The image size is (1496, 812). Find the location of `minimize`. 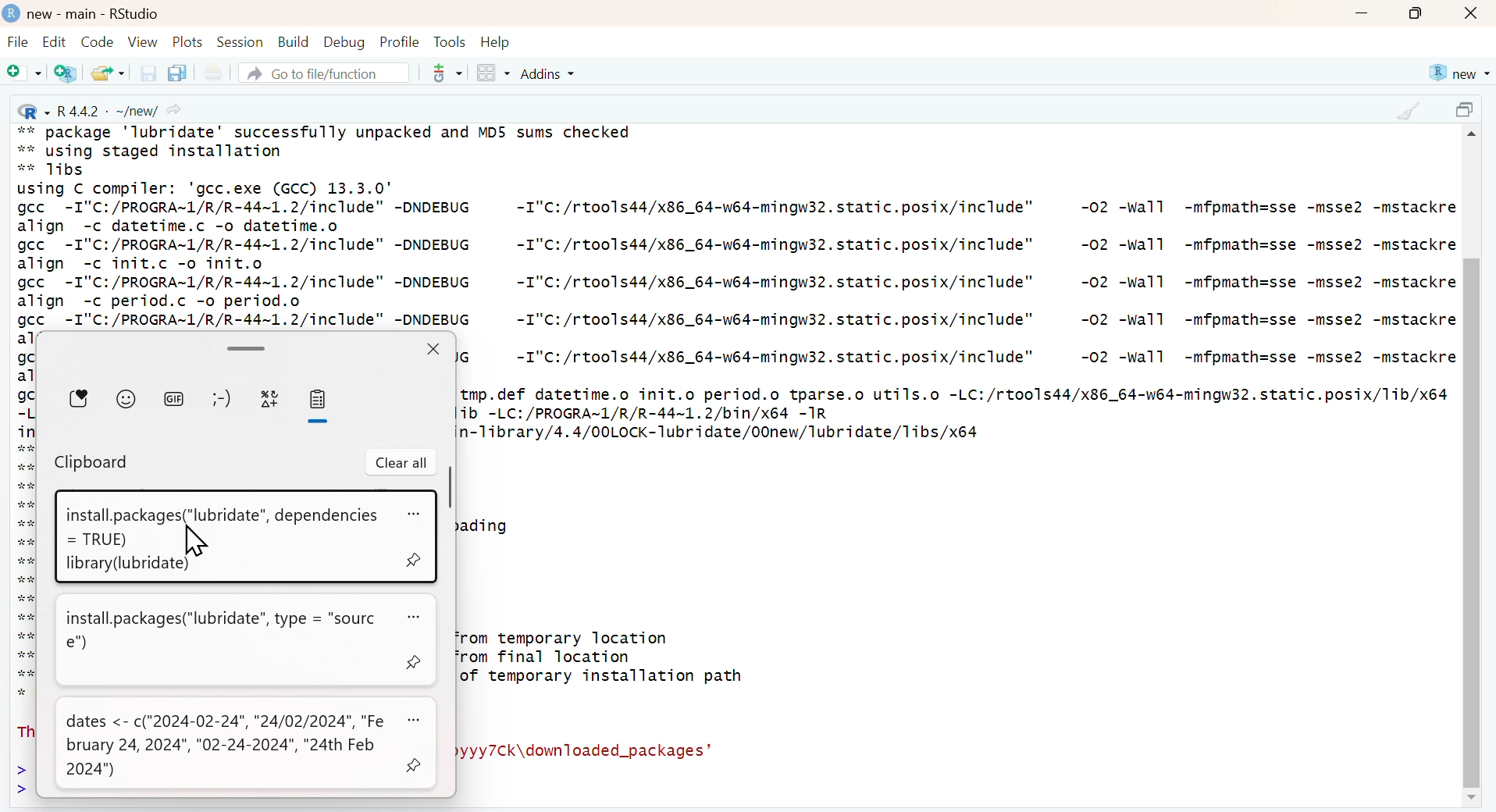

minimize is located at coordinates (1361, 15).